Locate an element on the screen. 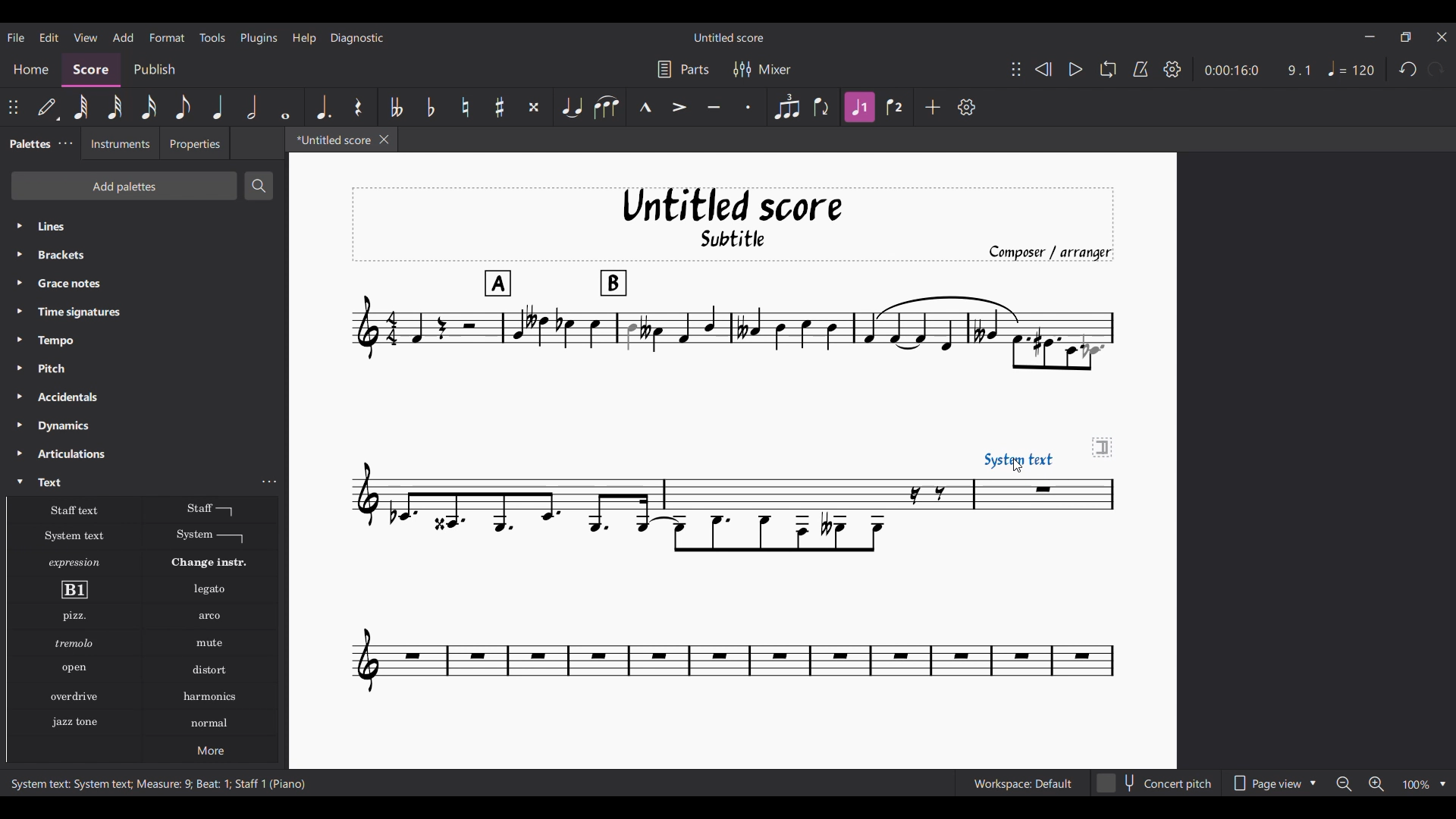  Close interface is located at coordinates (1442, 37).